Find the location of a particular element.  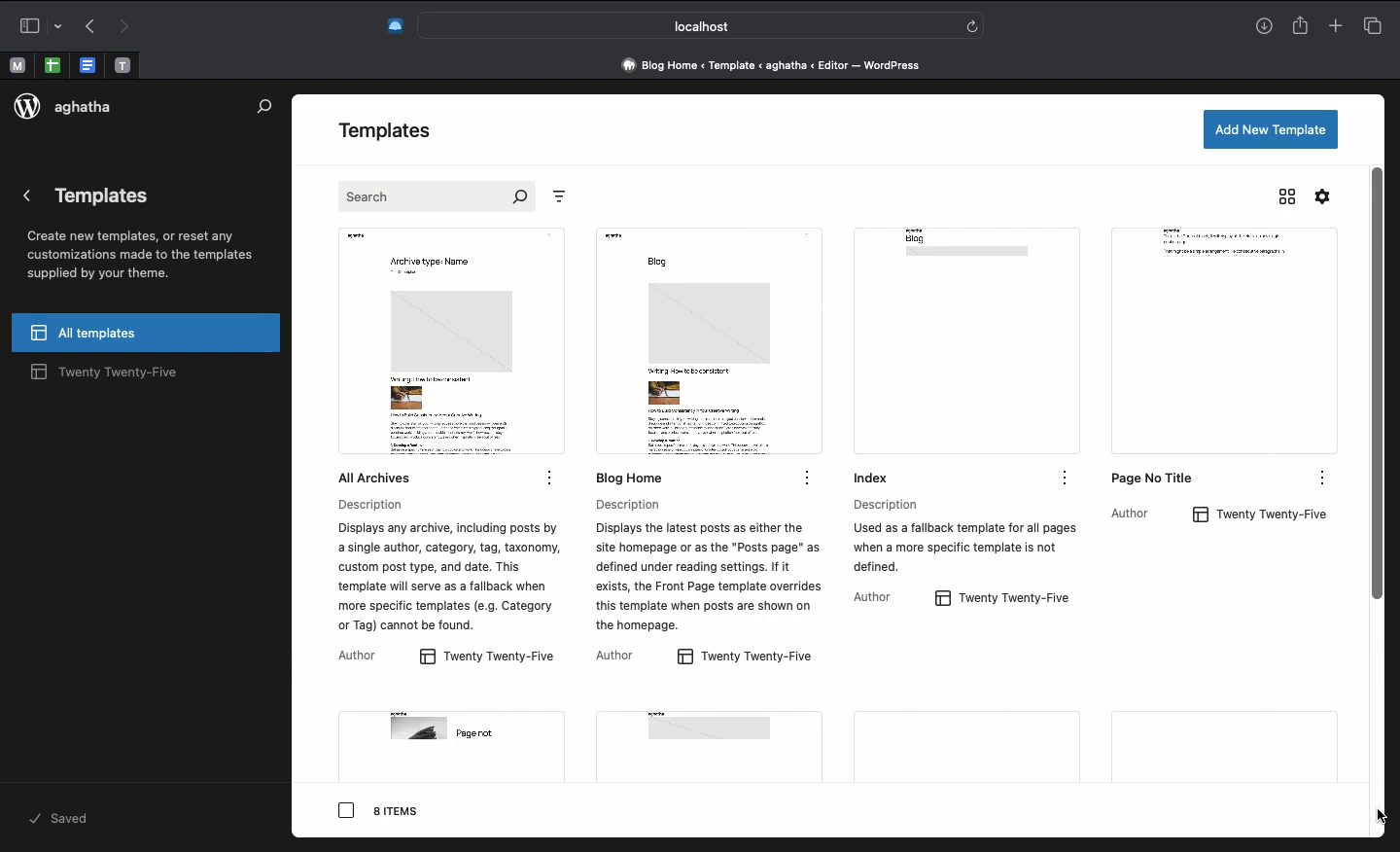

Author is located at coordinates (877, 601).